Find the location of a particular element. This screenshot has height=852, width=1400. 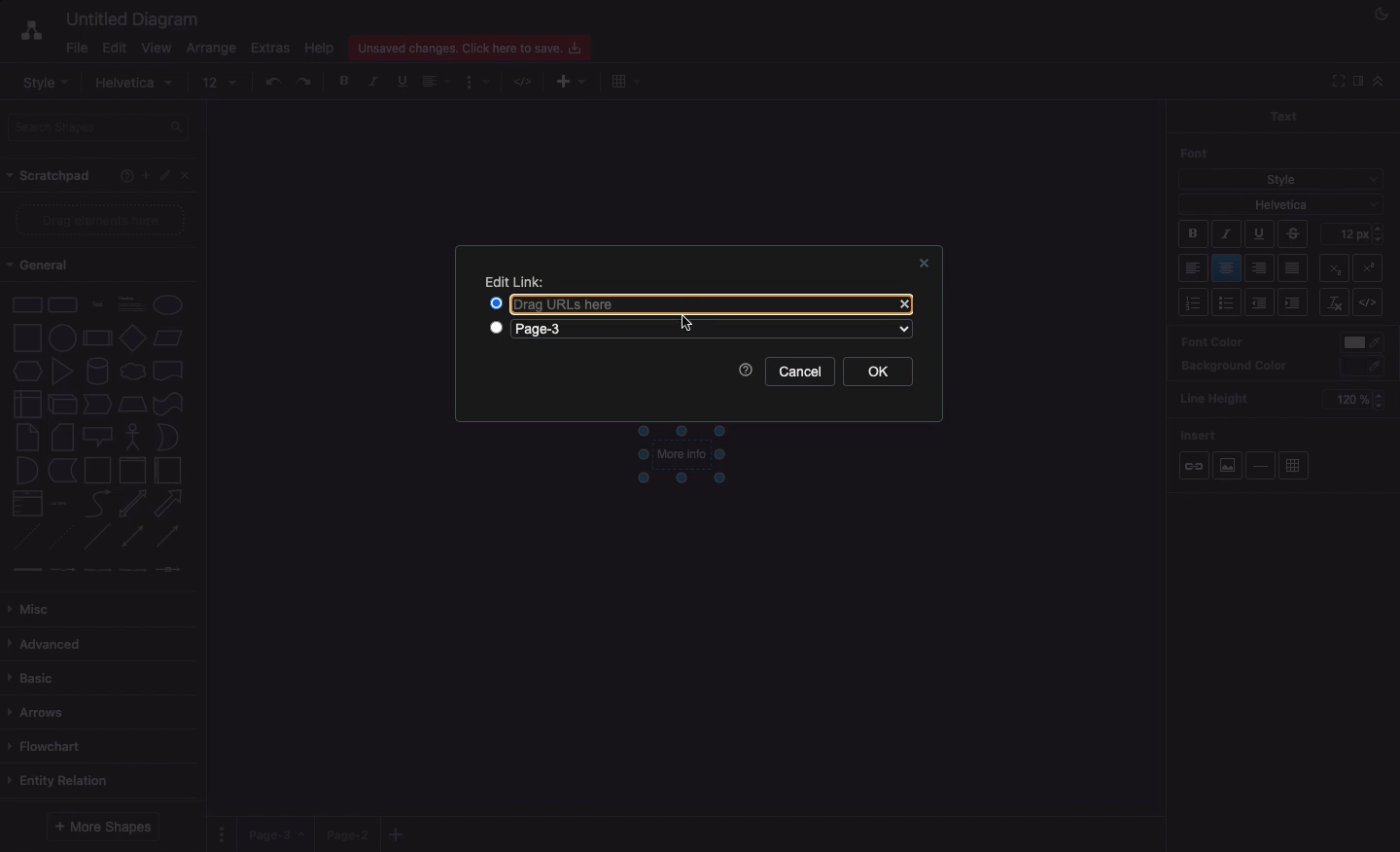

Bullet is located at coordinates (1227, 303).